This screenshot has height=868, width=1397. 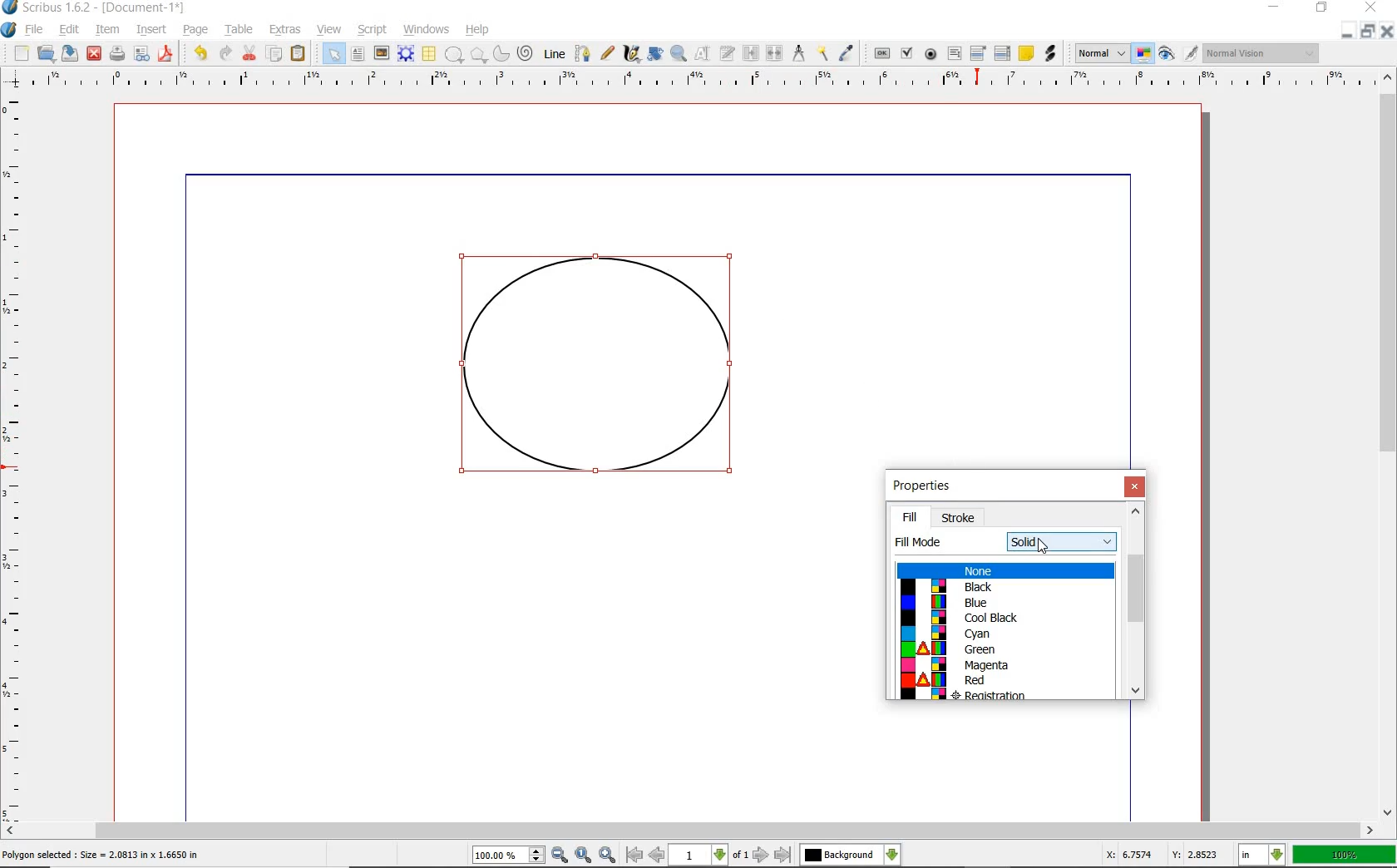 I want to click on fill, so click(x=910, y=517).